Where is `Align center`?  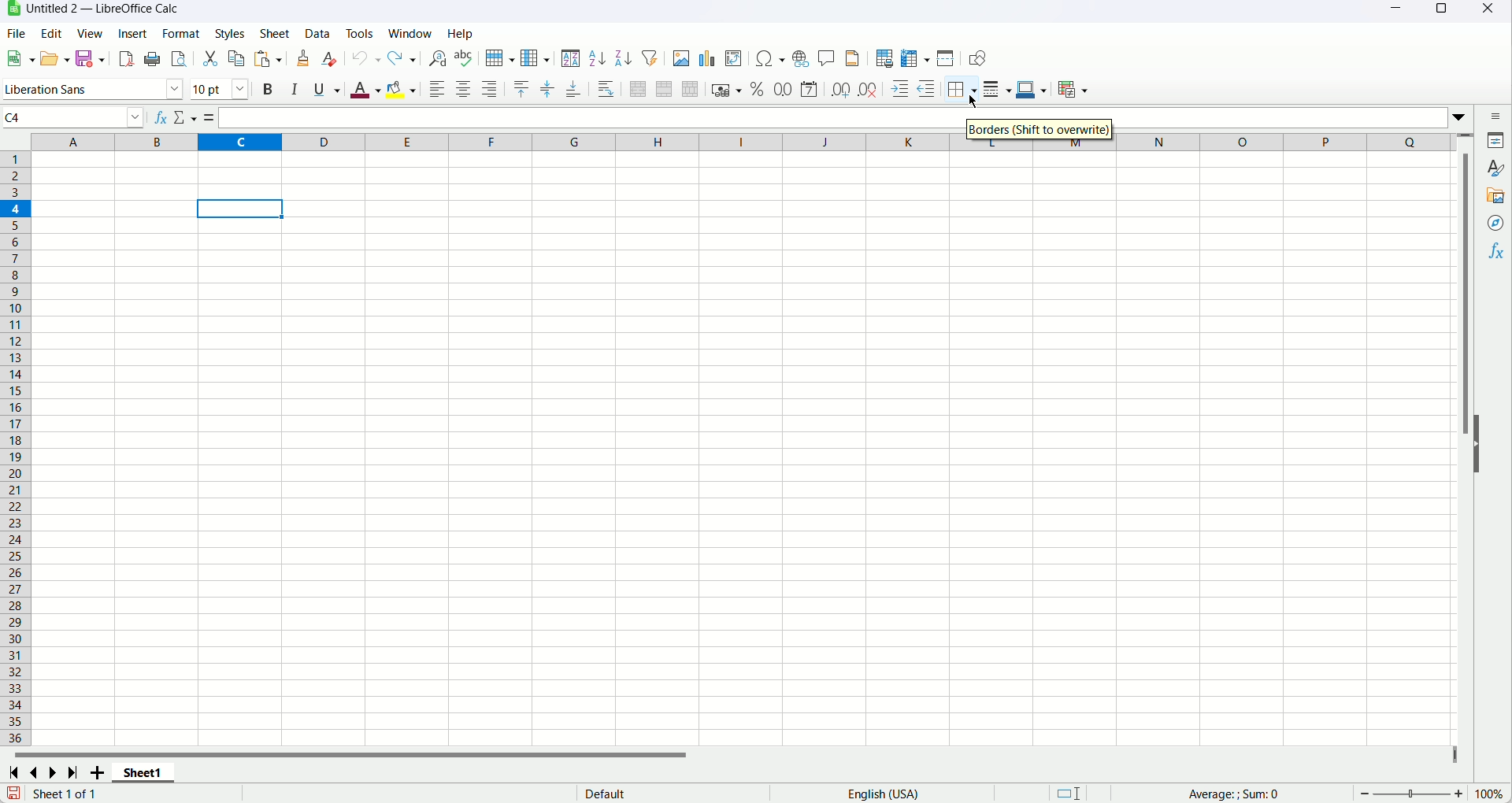
Align center is located at coordinates (465, 90).